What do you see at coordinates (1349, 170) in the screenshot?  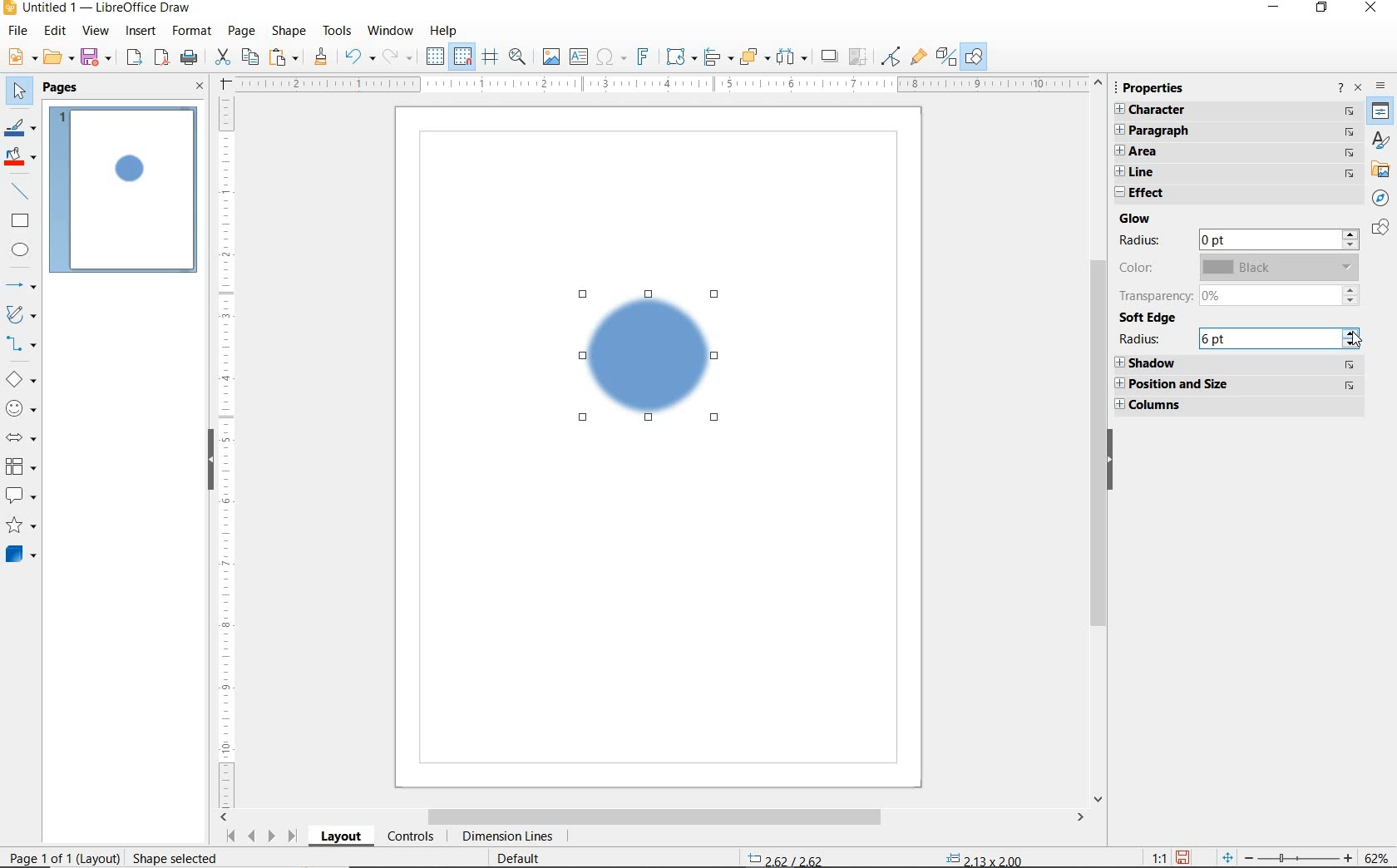 I see `navigate` at bounding box center [1349, 170].